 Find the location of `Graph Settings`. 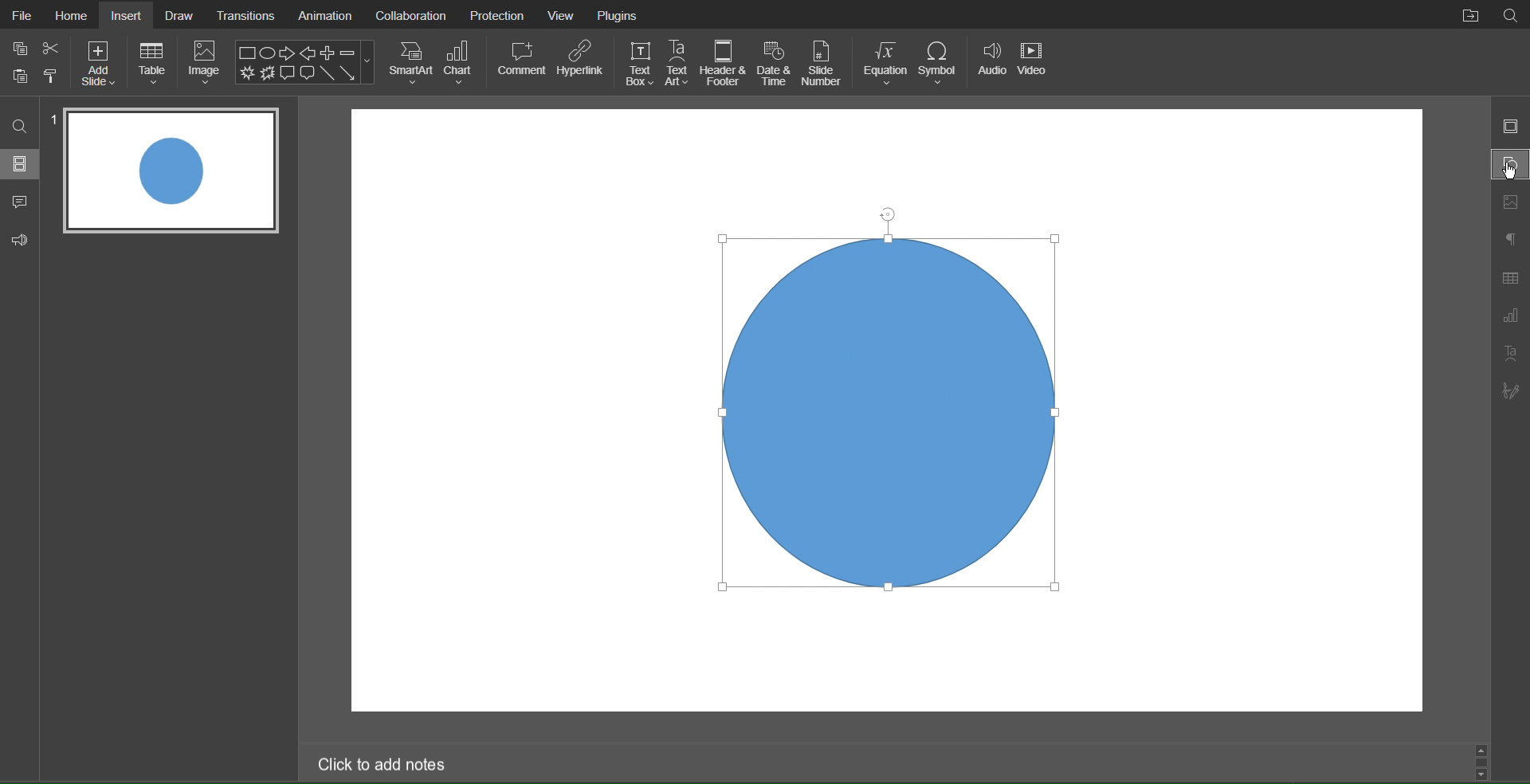

Graph Settings is located at coordinates (1510, 318).